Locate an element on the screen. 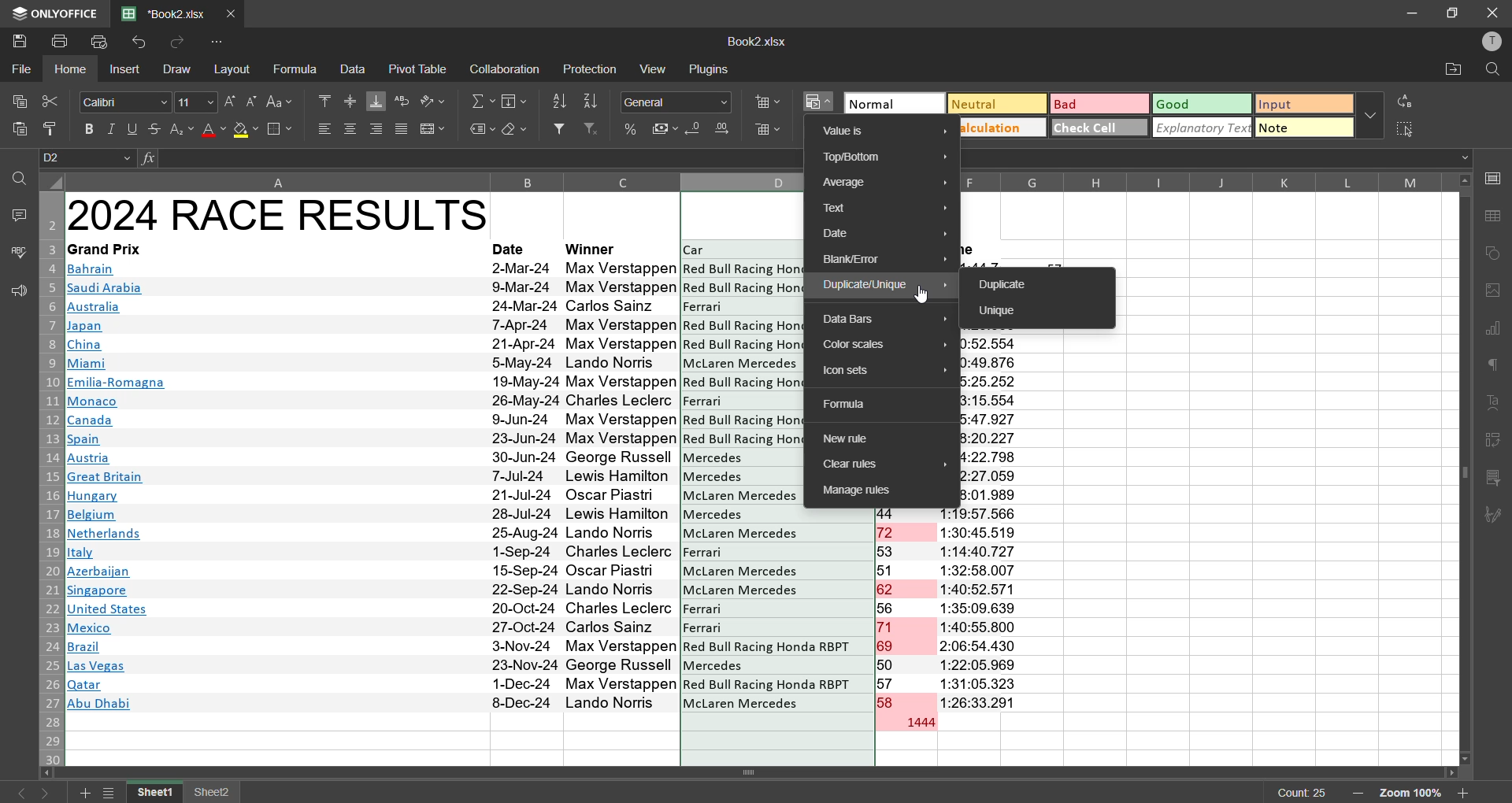 The image size is (1512, 803). paste is located at coordinates (20, 132).